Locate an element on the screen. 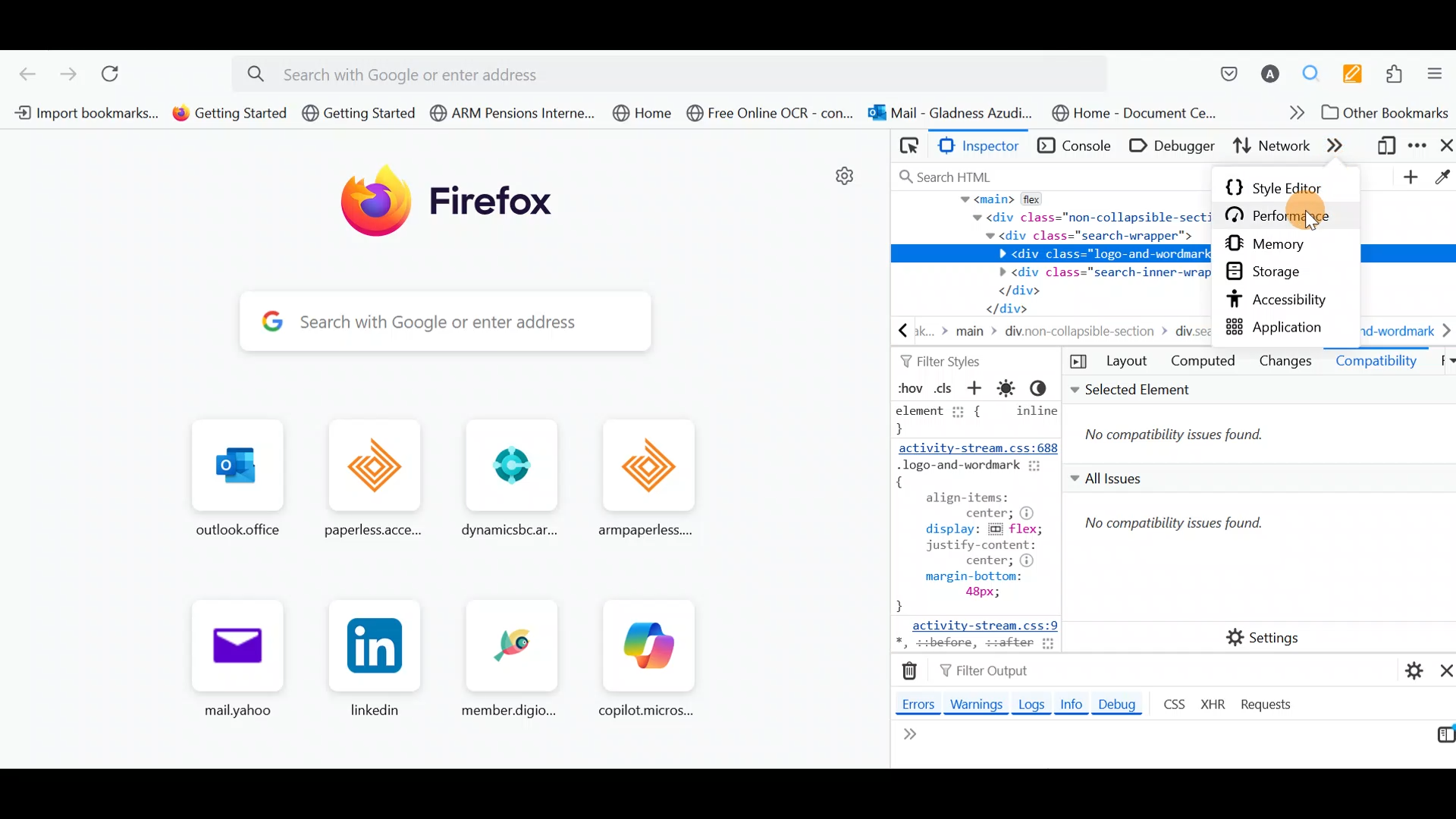 This screenshot has height=819, width=1456. Changes is located at coordinates (1285, 362).